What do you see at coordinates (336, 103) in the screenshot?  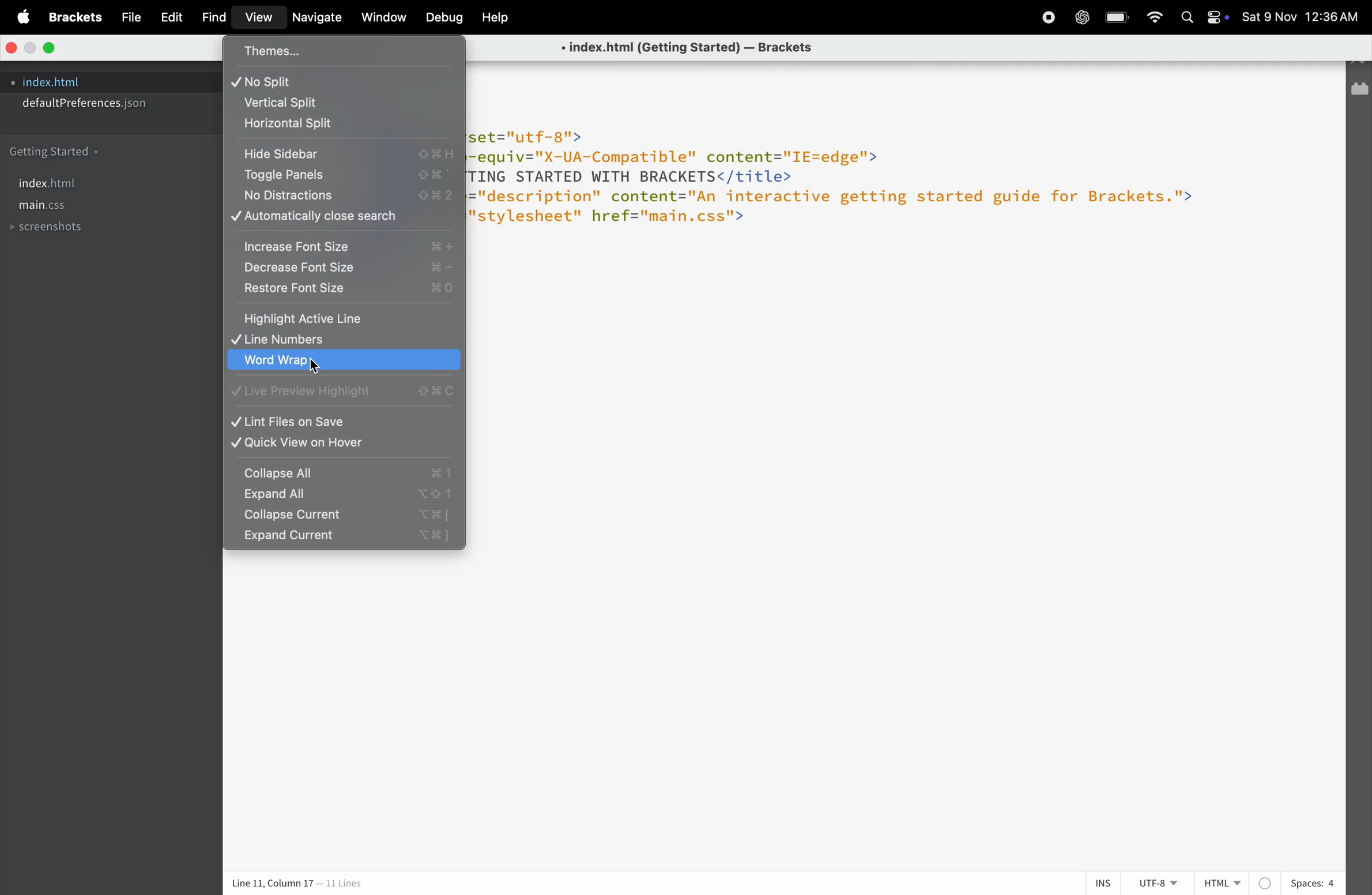 I see `vertical split` at bounding box center [336, 103].